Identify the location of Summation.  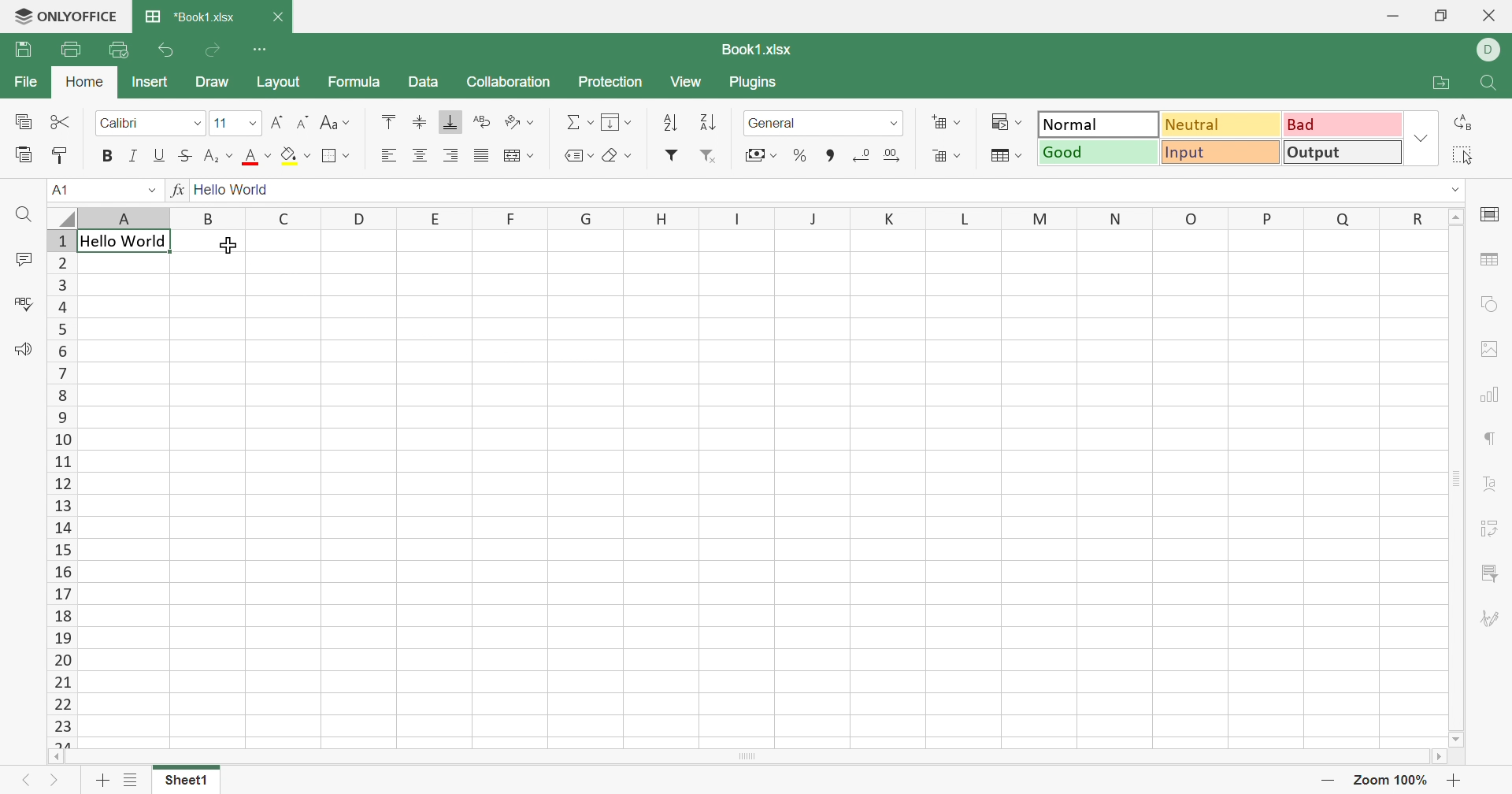
(580, 124).